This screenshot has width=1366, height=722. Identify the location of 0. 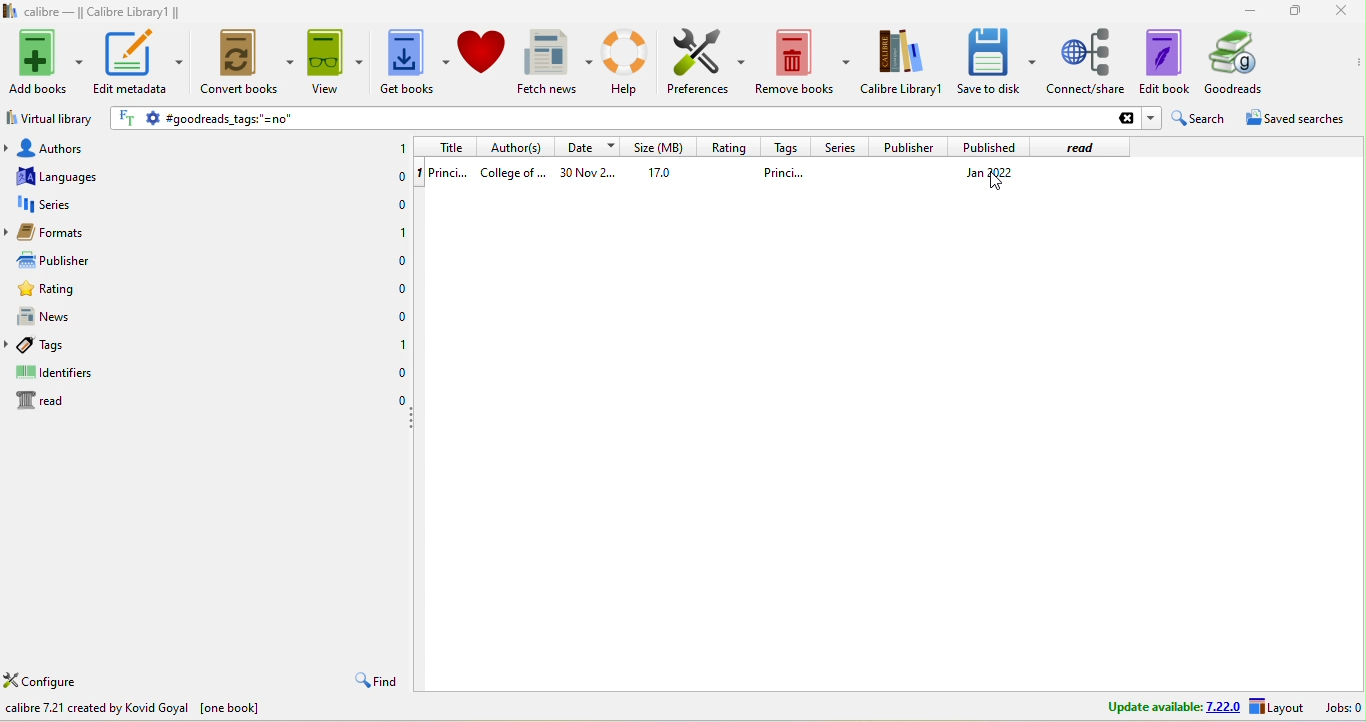
(397, 179).